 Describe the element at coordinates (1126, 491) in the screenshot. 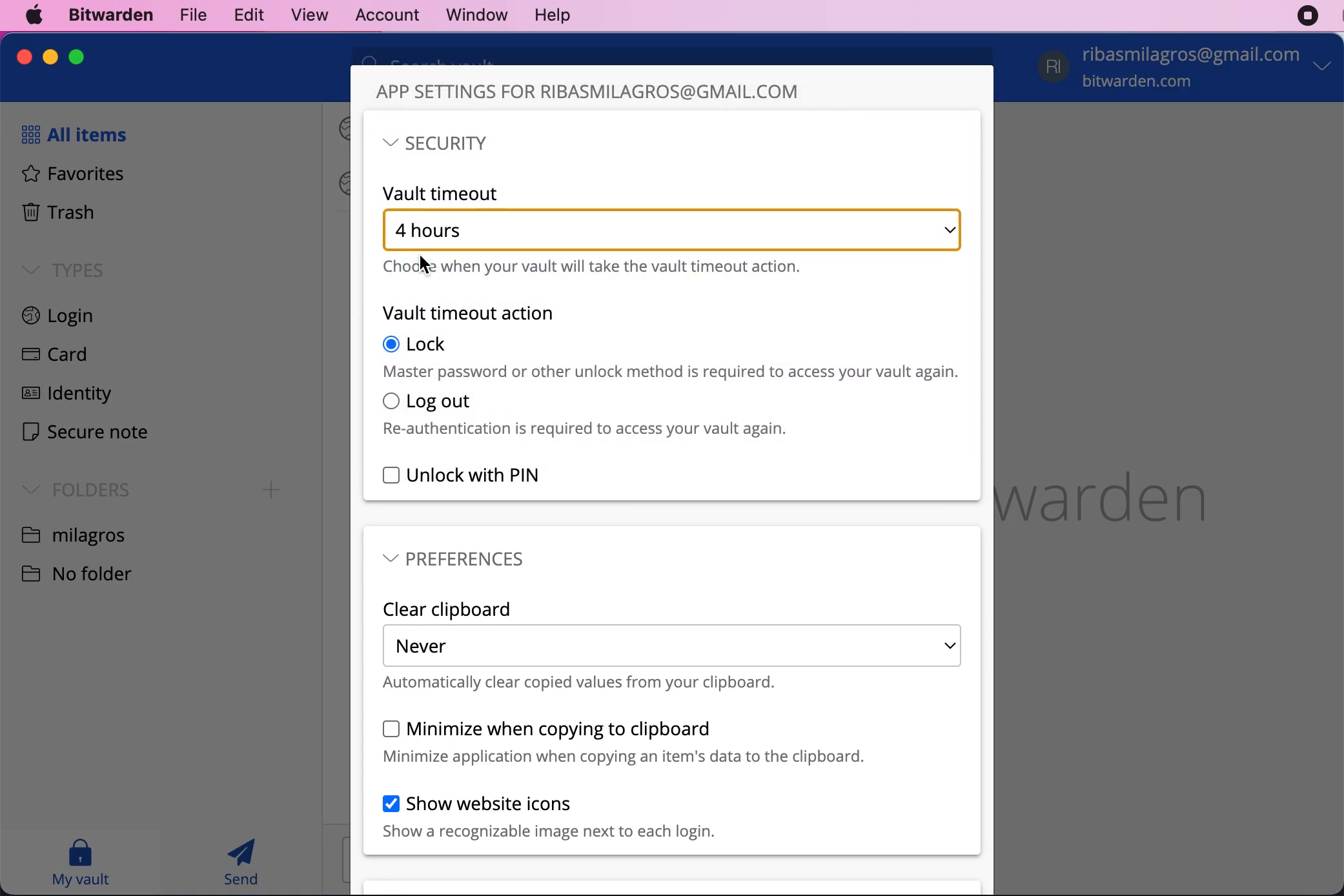

I see `bitwarden logo` at that location.